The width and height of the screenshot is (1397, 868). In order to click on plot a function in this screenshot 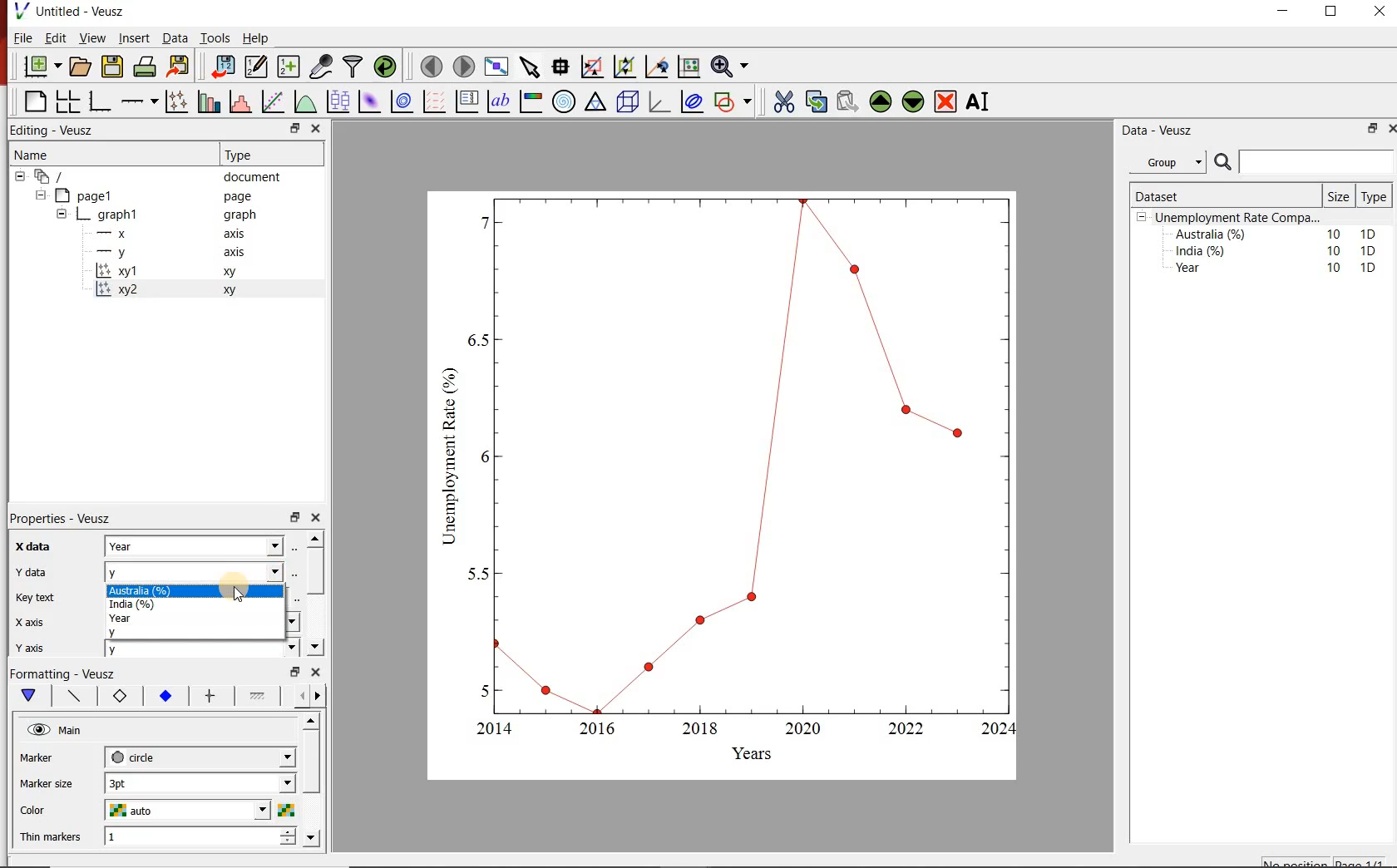, I will do `click(305, 101)`.